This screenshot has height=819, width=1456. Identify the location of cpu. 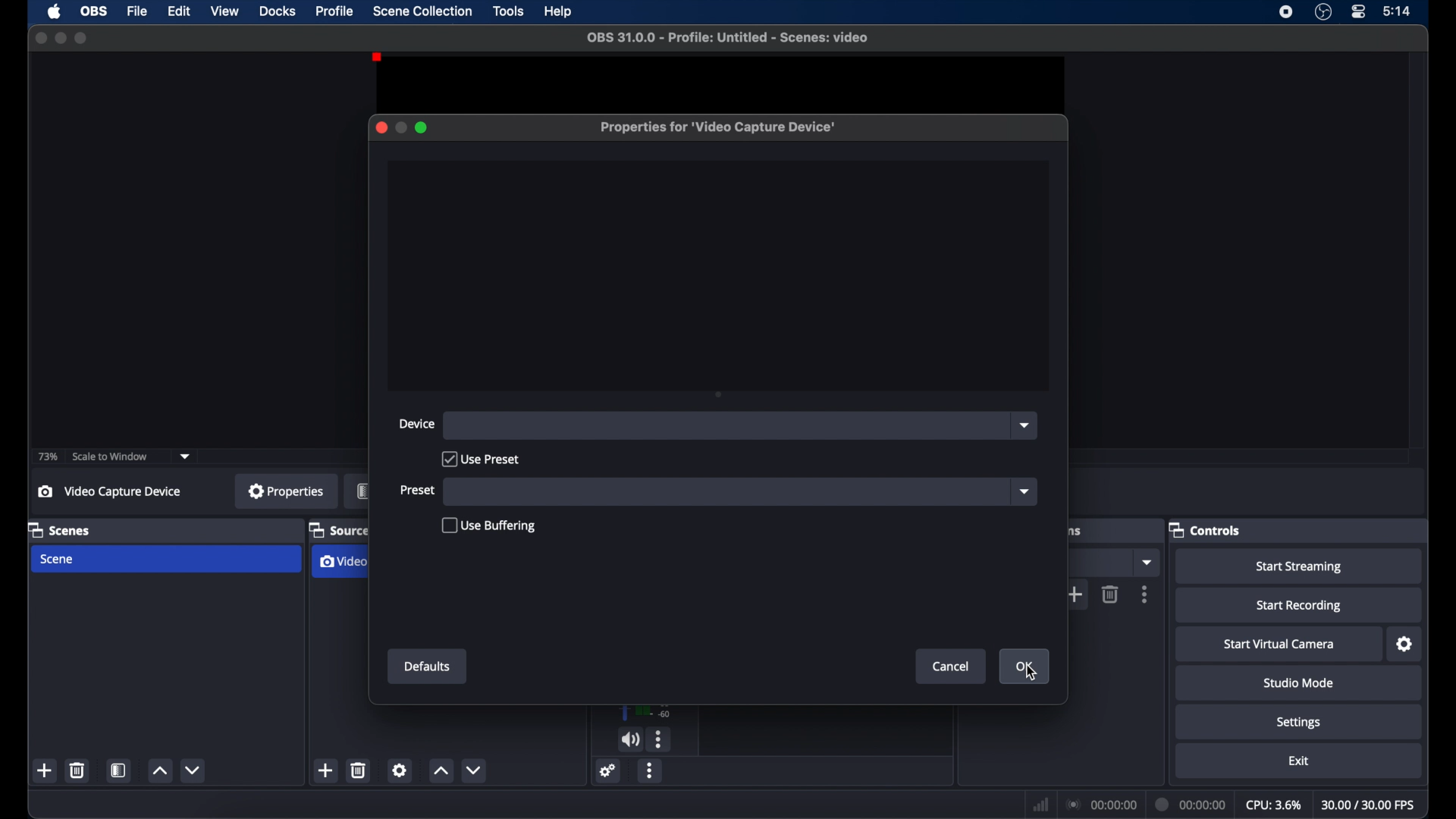
(1274, 805).